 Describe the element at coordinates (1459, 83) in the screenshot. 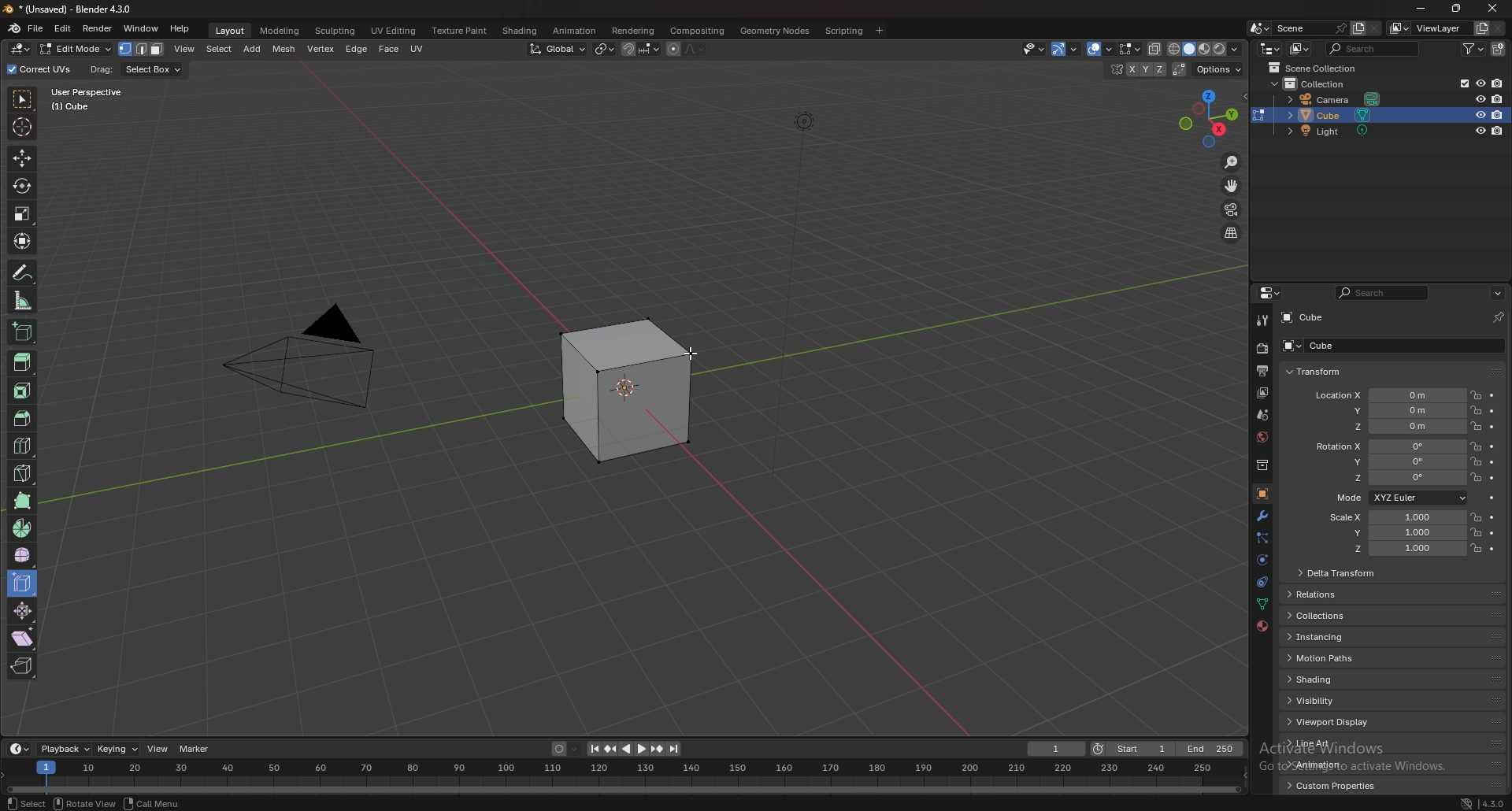

I see `exclude from viewlayer` at that location.